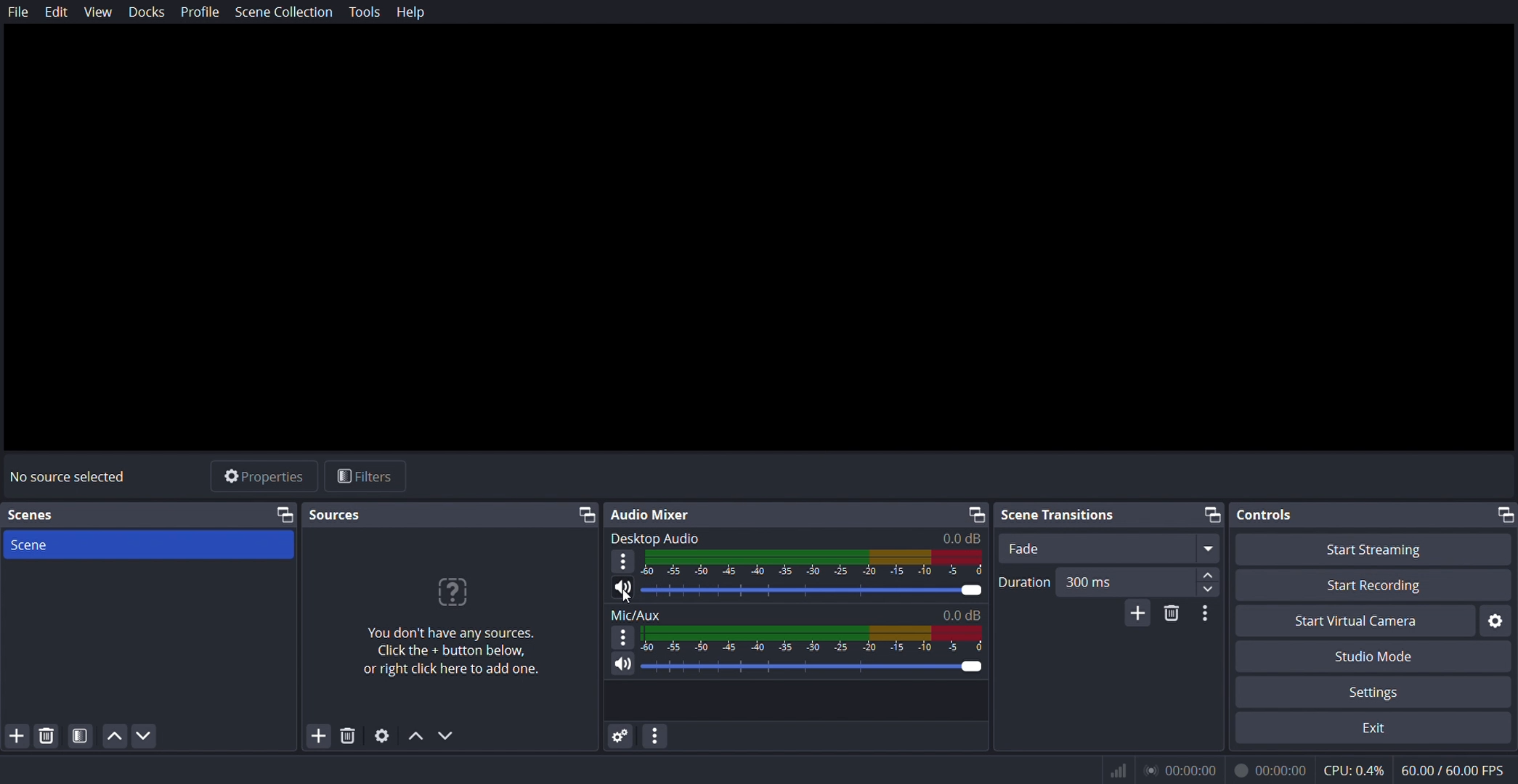 The image size is (1518, 784). What do you see at coordinates (652, 513) in the screenshot?
I see `audio mixer` at bounding box center [652, 513].